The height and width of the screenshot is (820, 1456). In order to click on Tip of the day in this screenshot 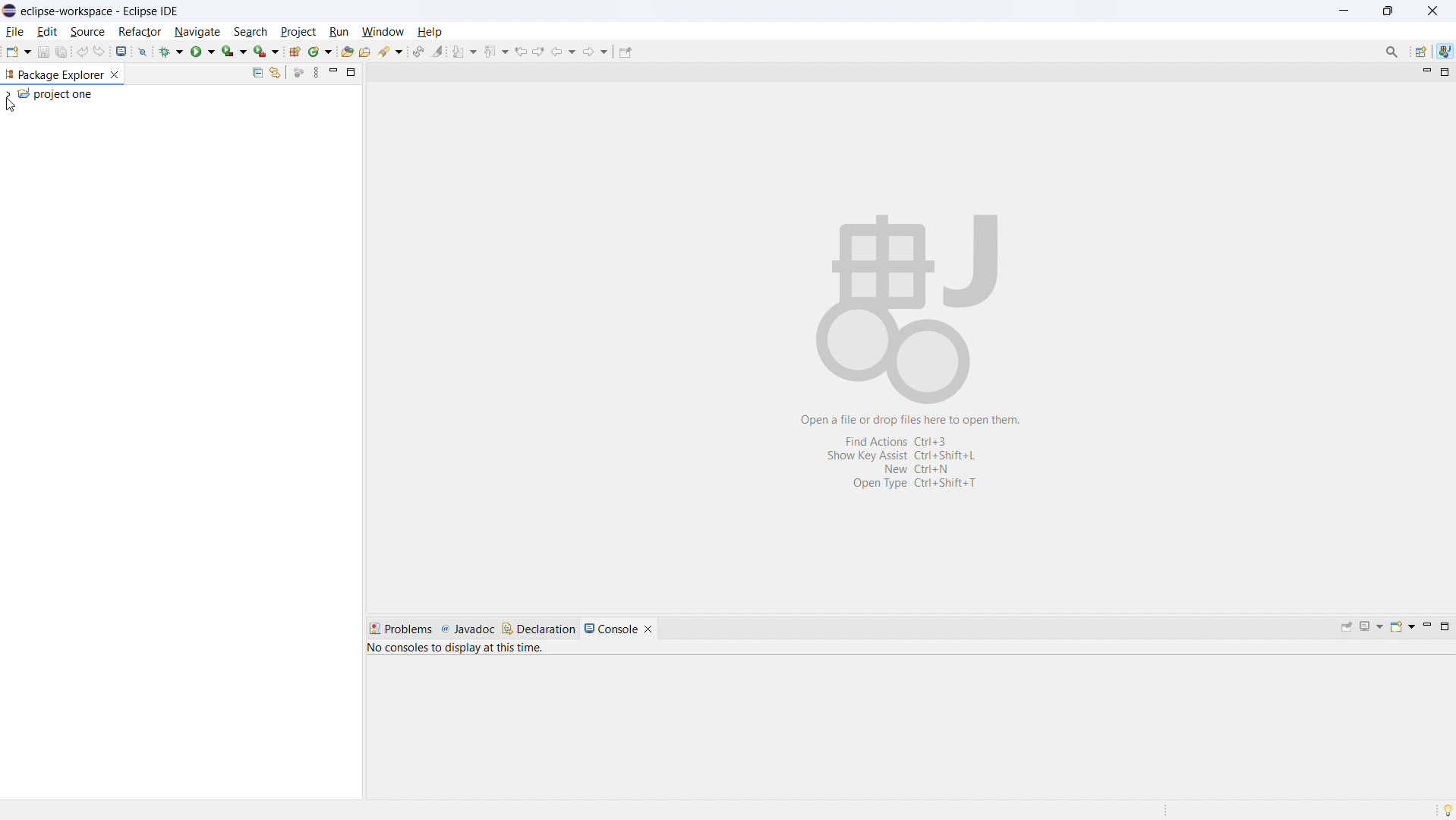, I will do `click(1446, 812)`.